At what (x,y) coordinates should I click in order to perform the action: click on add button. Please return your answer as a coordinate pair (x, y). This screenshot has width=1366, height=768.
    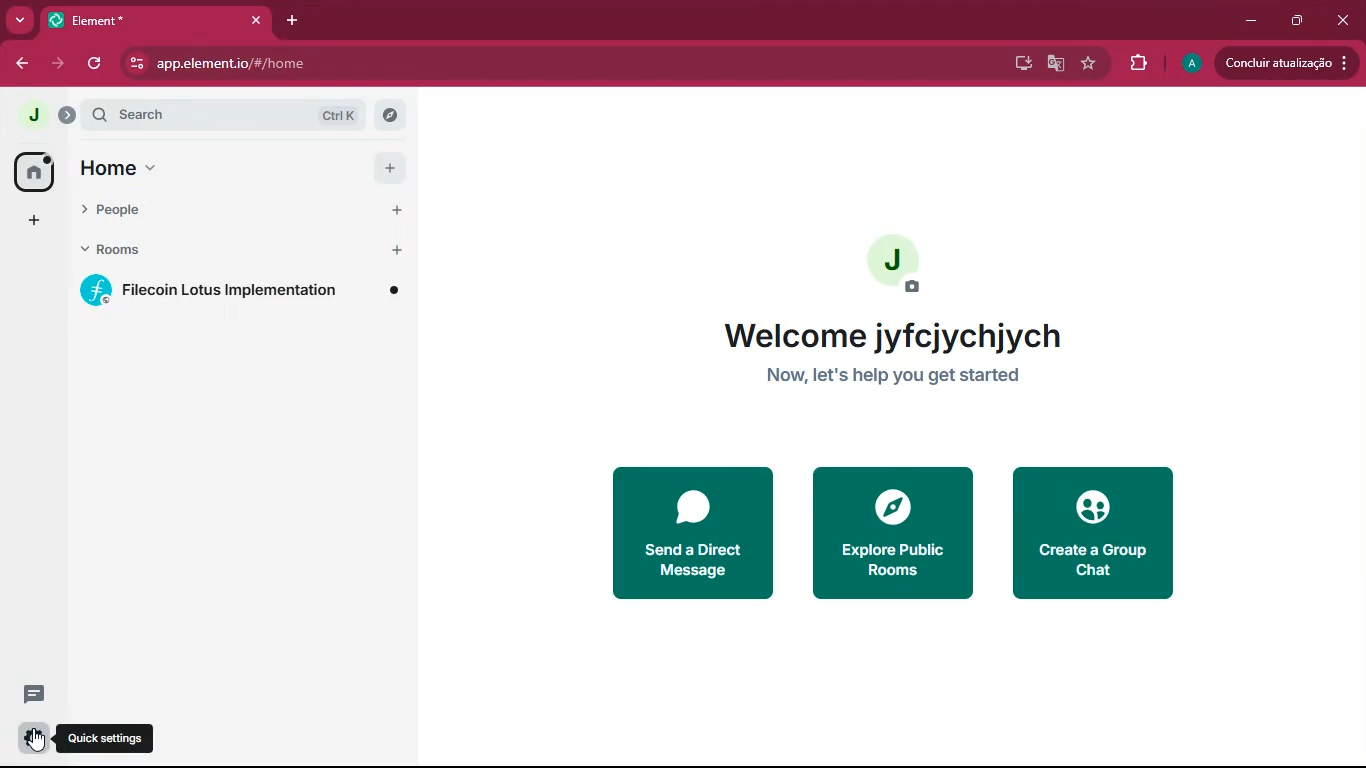
    Looking at the image, I should click on (394, 210).